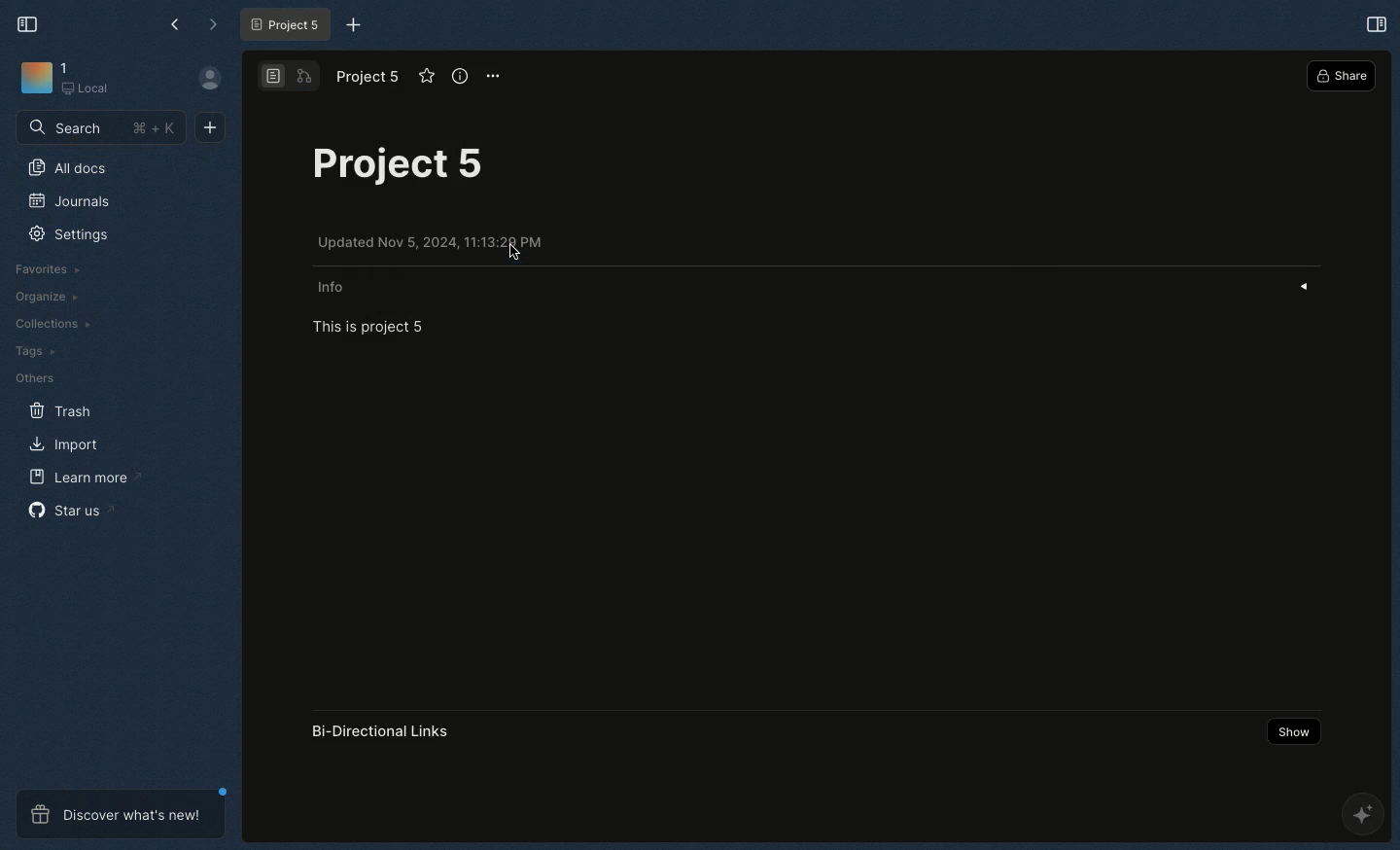 The image size is (1400, 850). I want to click on Share, so click(1343, 77).